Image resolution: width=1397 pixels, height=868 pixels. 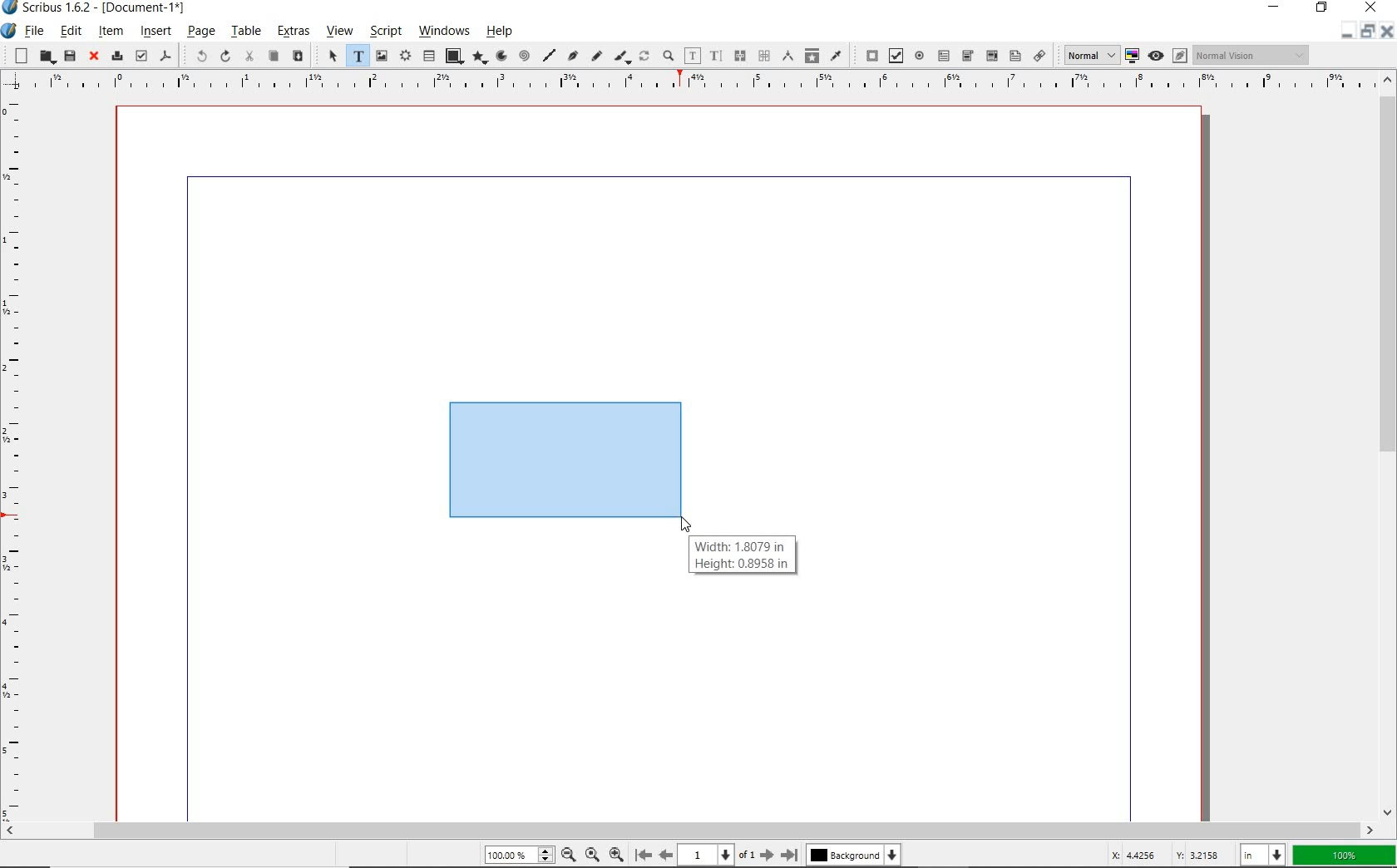 What do you see at coordinates (690, 830) in the screenshot?
I see `scrollbar` at bounding box center [690, 830].